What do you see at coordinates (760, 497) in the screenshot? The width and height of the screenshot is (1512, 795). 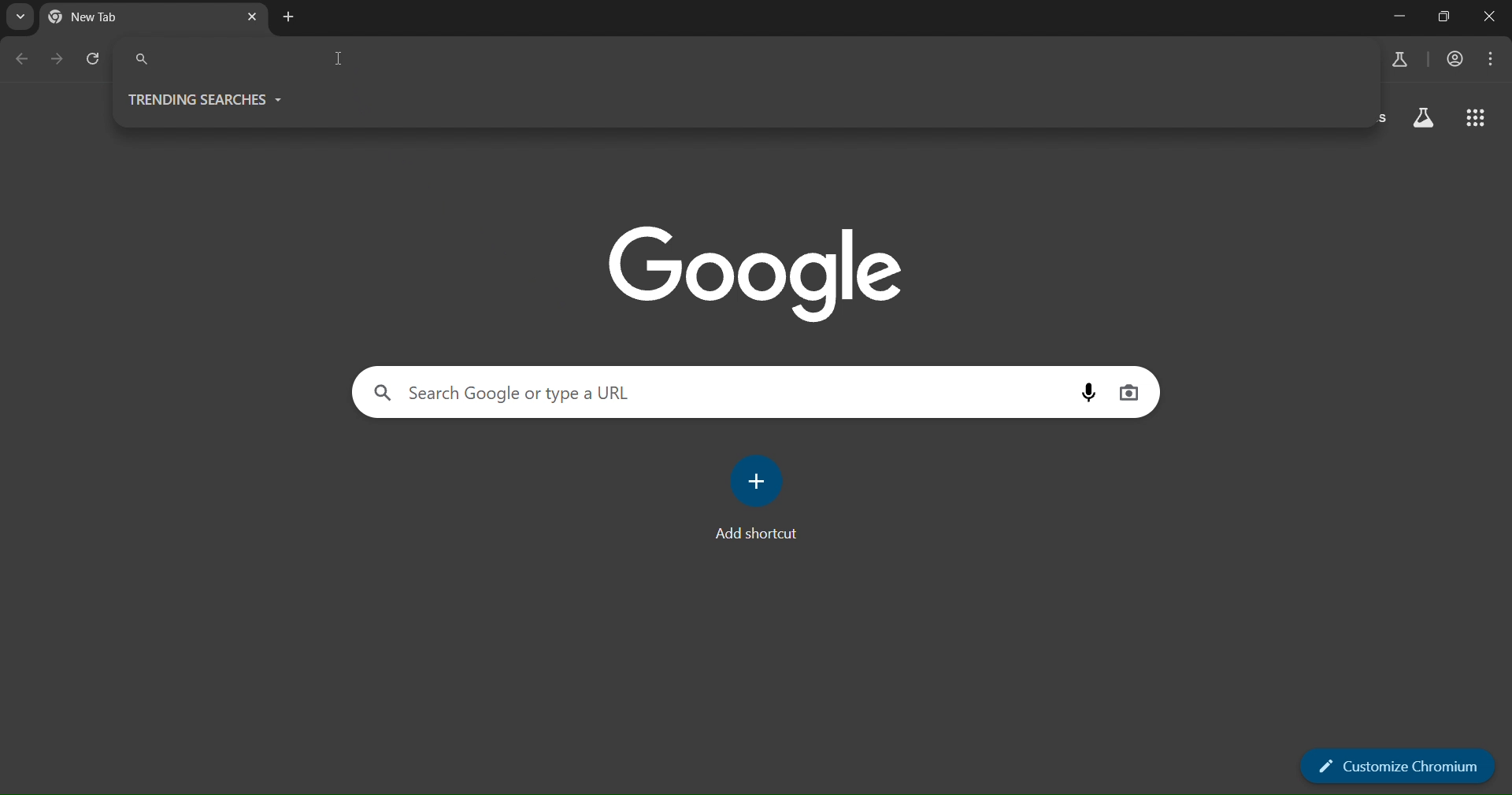 I see `add shortcut` at bounding box center [760, 497].